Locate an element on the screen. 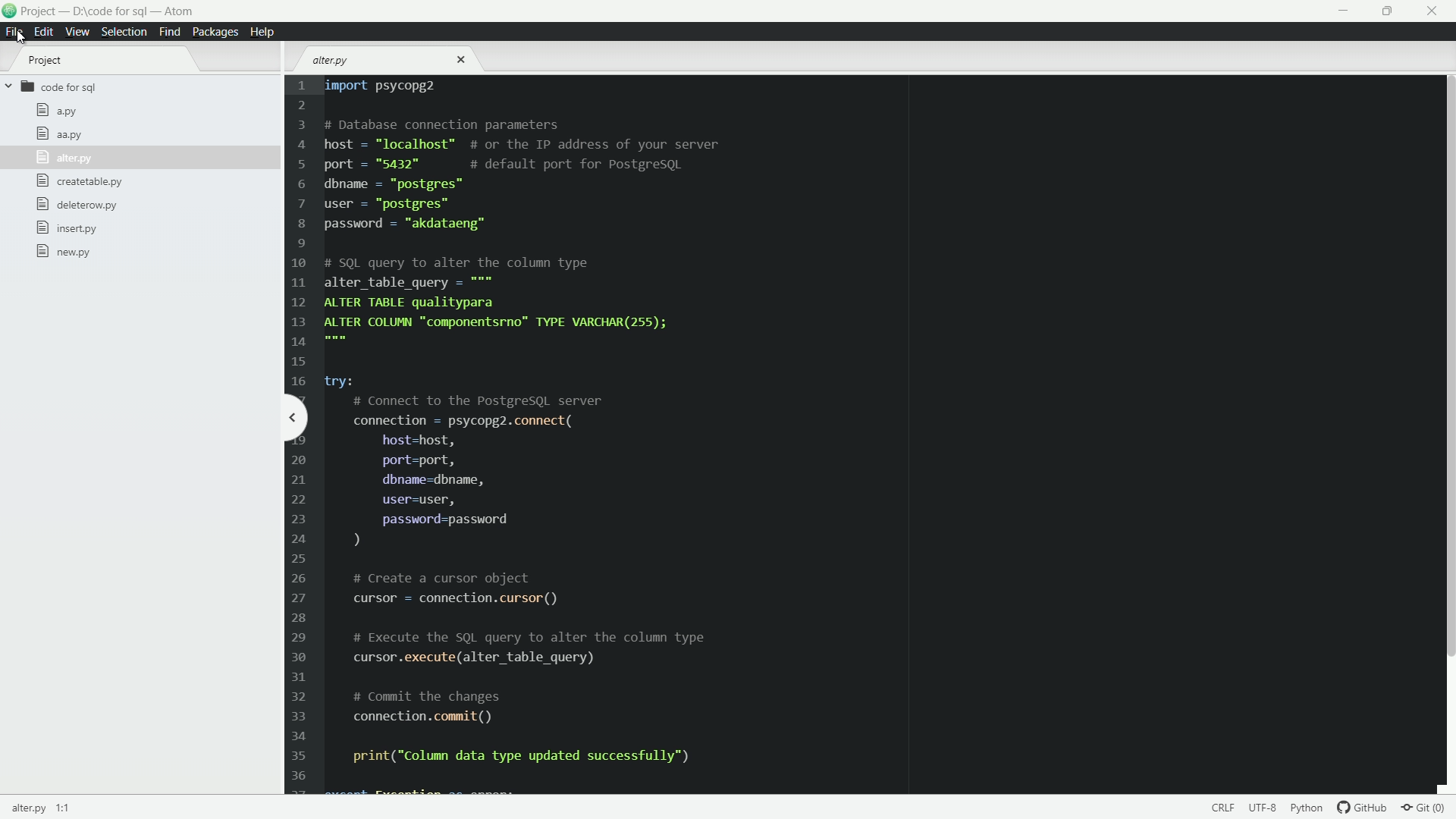 This screenshot has height=819, width=1456. alter.py file is located at coordinates (331, 61).